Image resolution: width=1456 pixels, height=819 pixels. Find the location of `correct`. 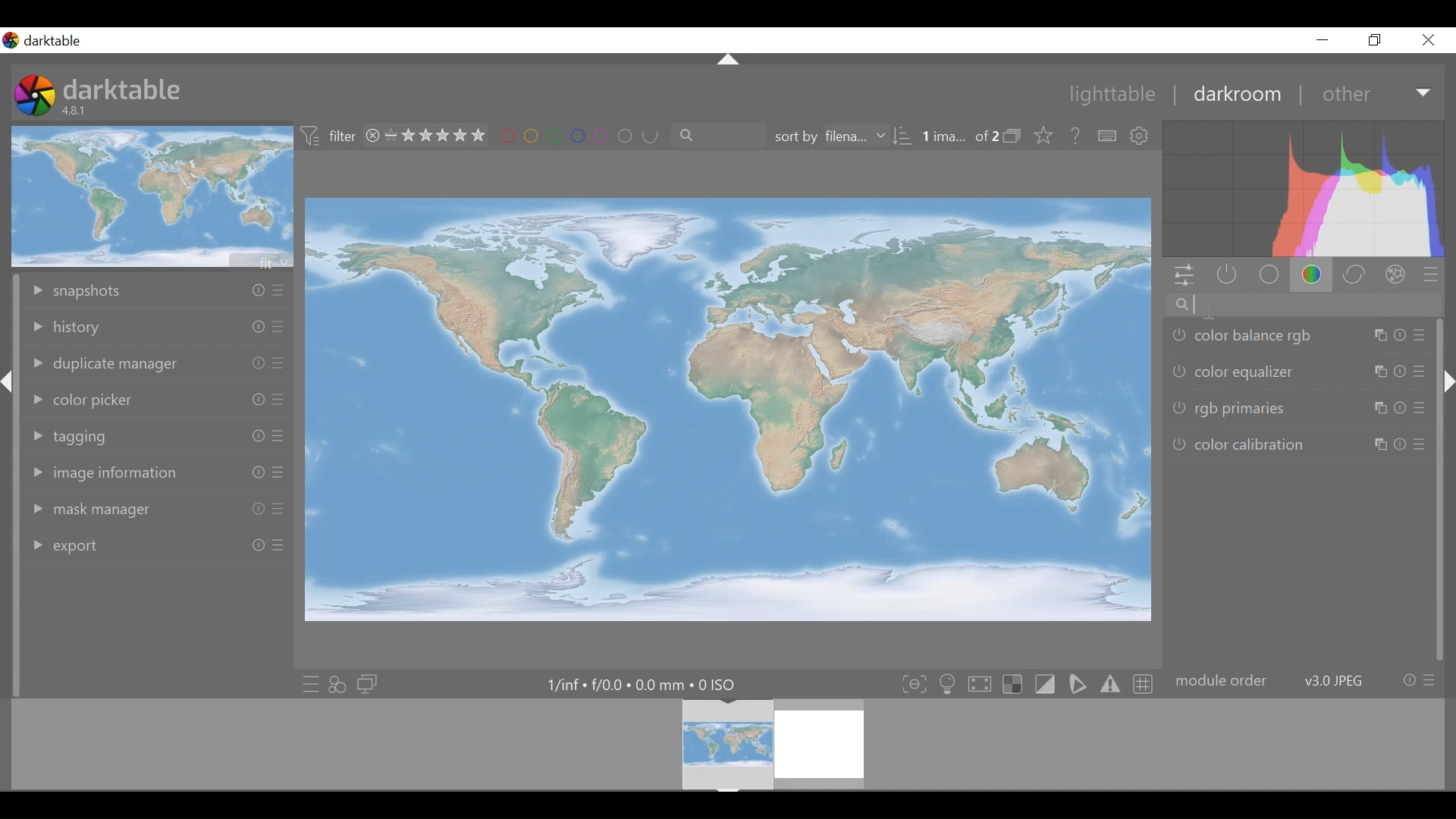

correct is located at coordinates (1354, 274).